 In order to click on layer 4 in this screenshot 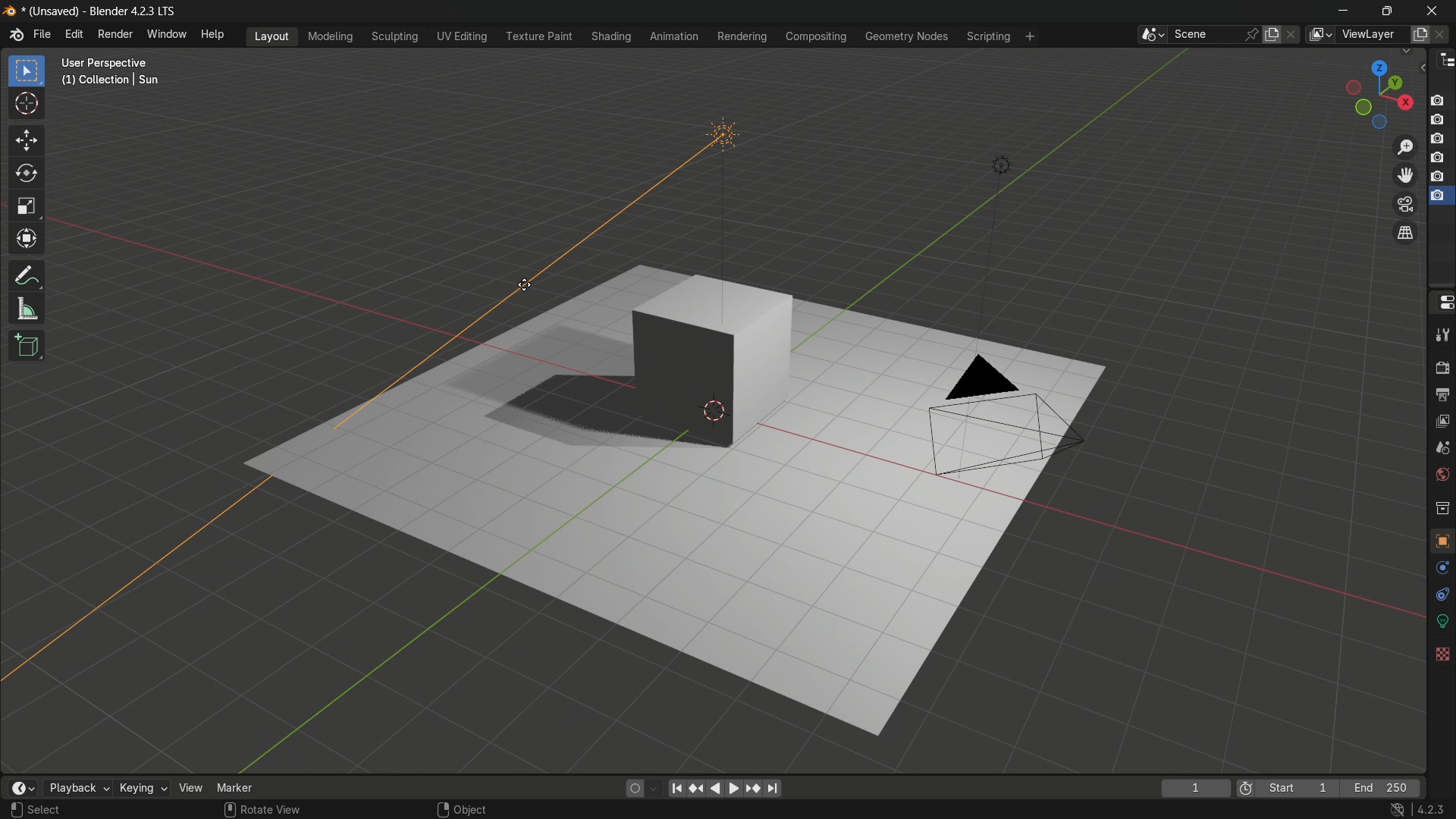, I will do `click(1437, 157)`.